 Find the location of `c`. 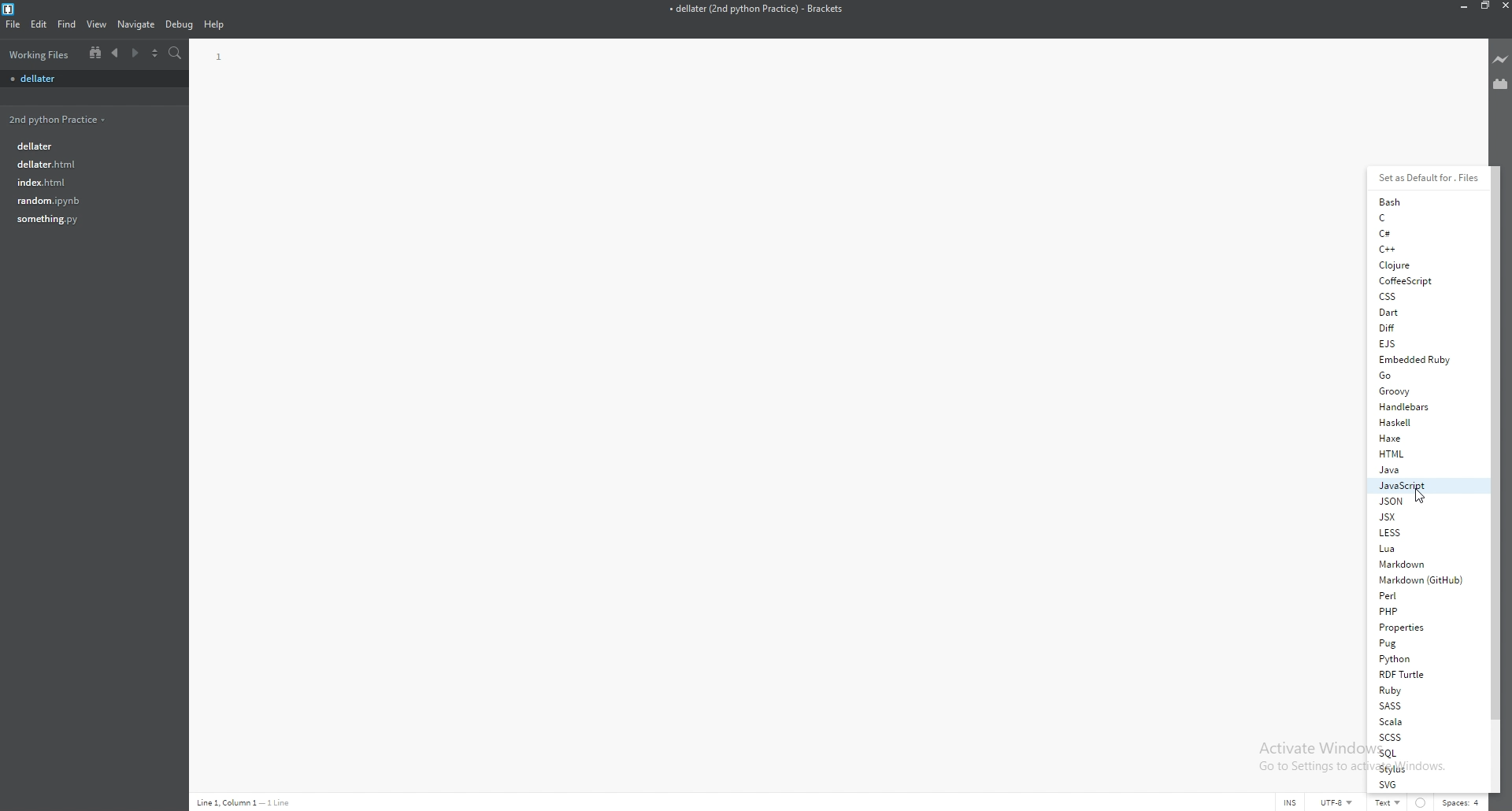

c is located at coordinates (1420, 217).